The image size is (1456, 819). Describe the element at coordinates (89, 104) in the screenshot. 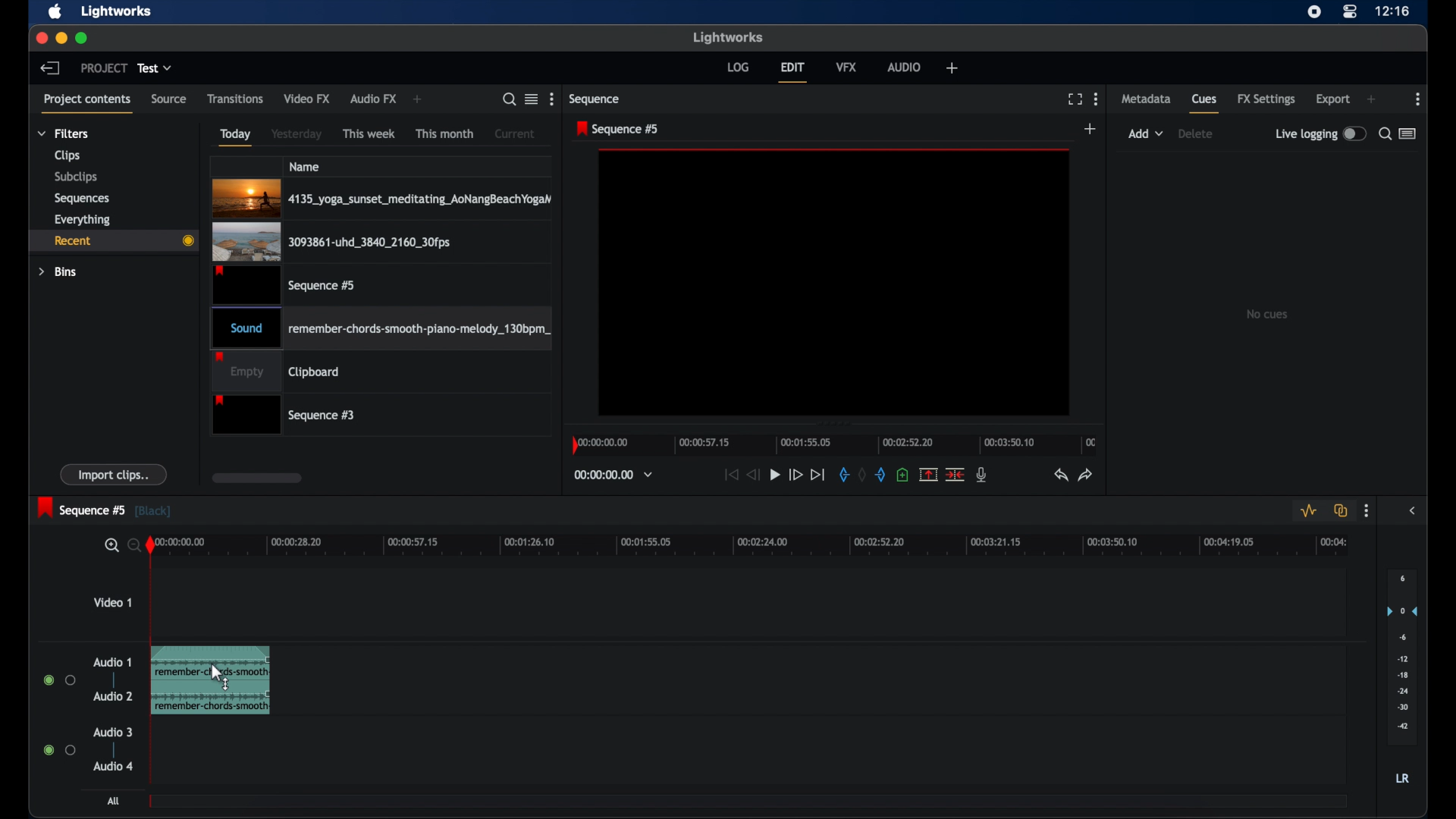

I see `project contents` at that location.